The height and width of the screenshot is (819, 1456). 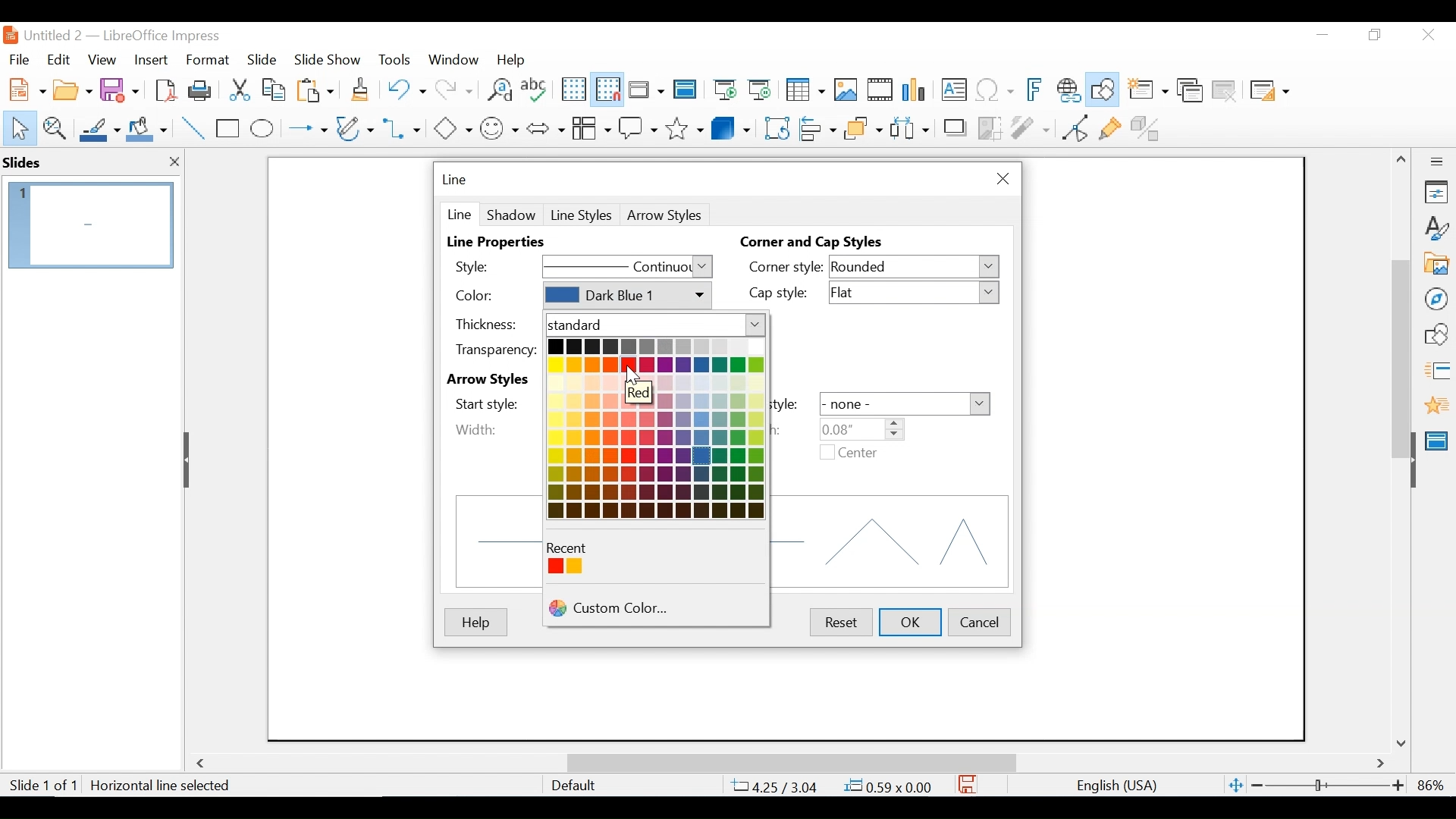 I want to click on Cut, so click(x=238, y=89).